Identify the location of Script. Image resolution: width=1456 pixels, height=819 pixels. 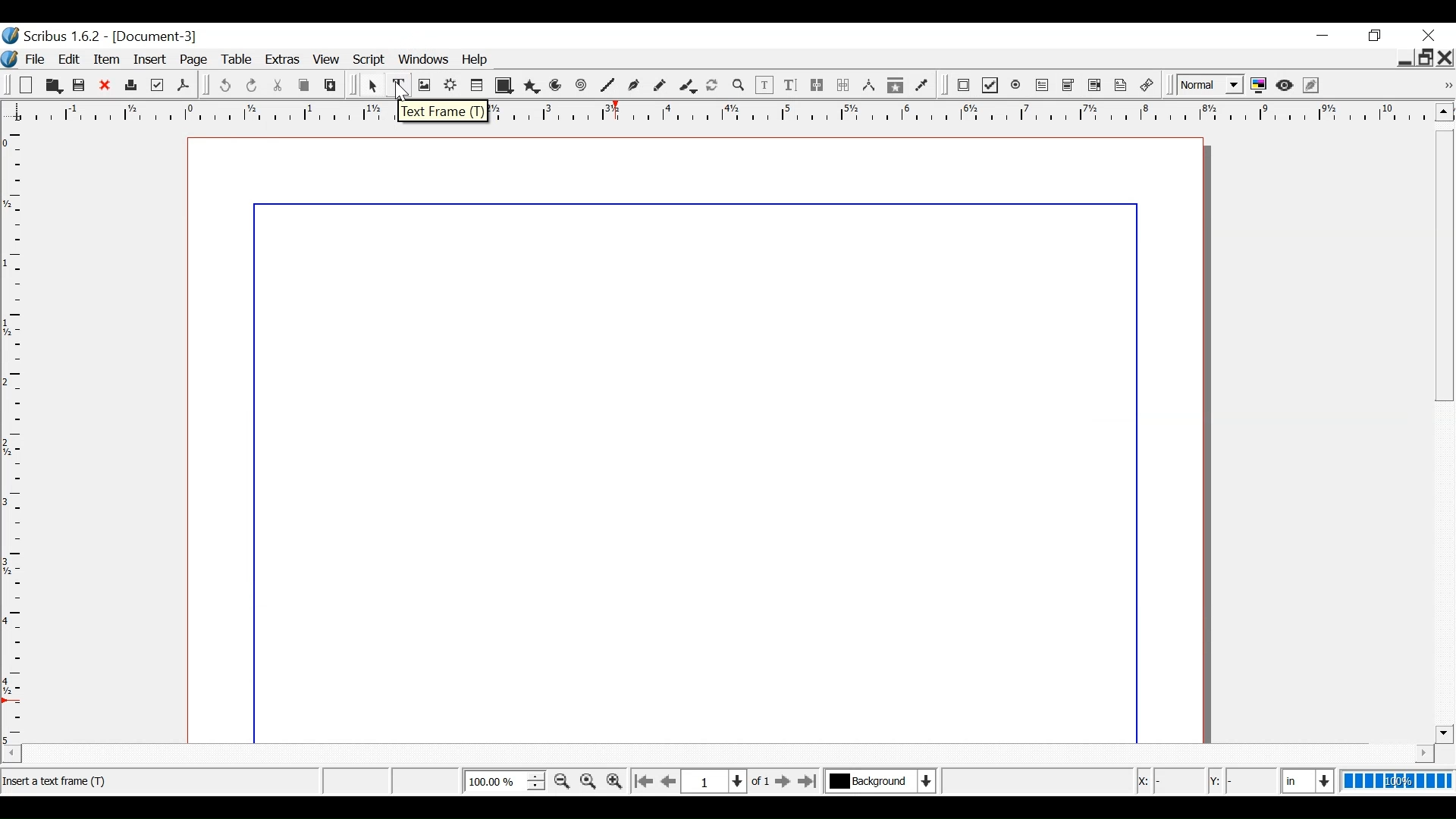
(371, 60).